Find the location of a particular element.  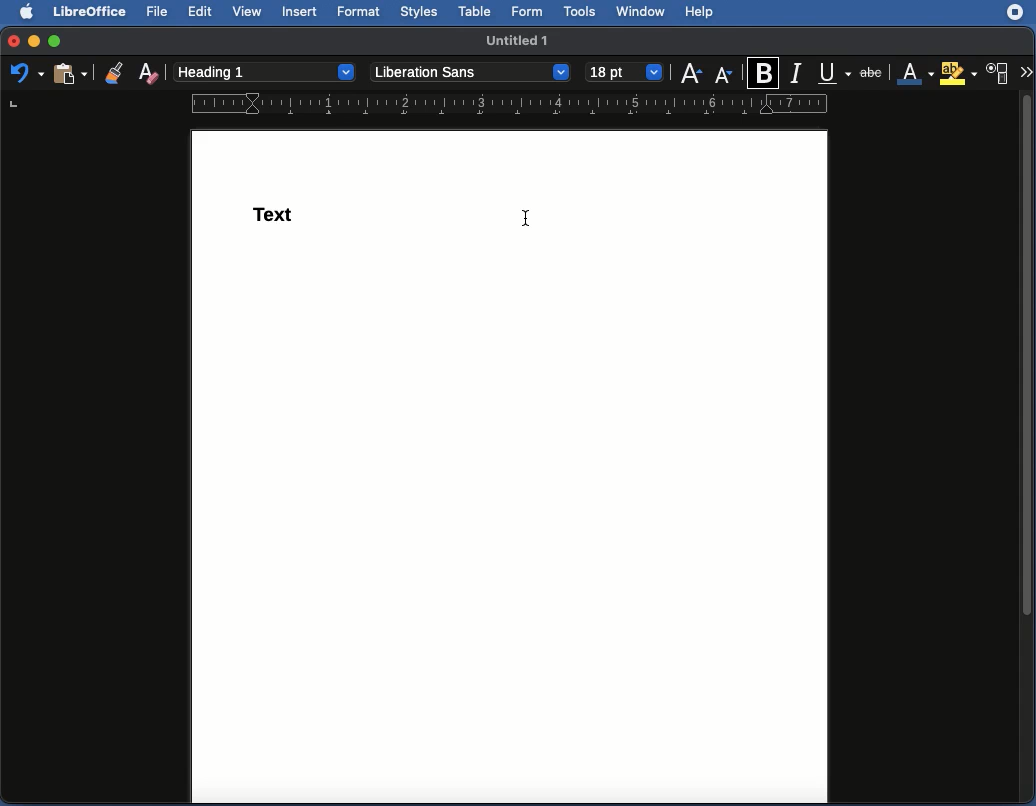

Strikethrough is located at coordinates (872, 72).